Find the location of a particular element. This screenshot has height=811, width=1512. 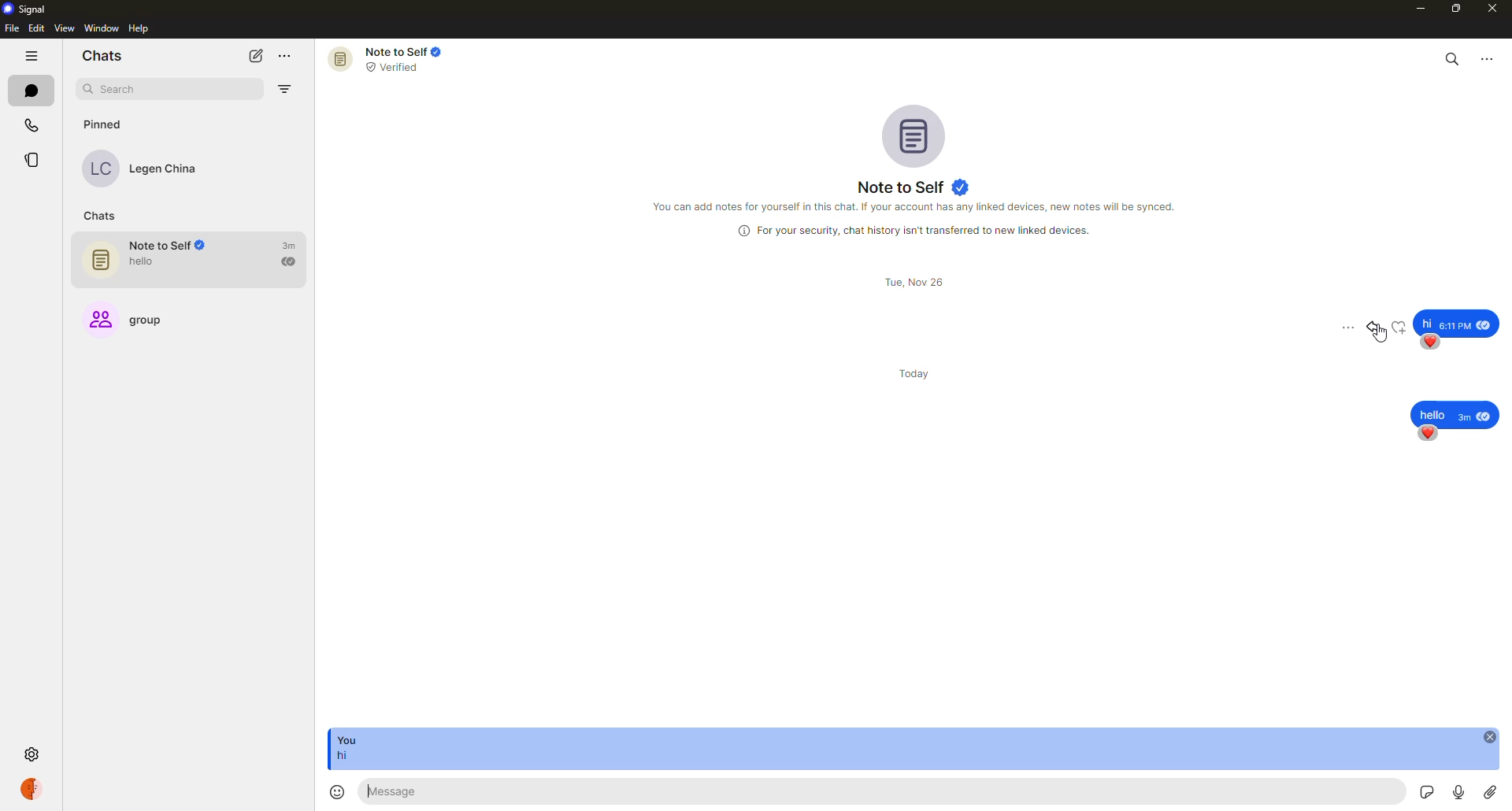

settings is located at coordinates (33, 752).